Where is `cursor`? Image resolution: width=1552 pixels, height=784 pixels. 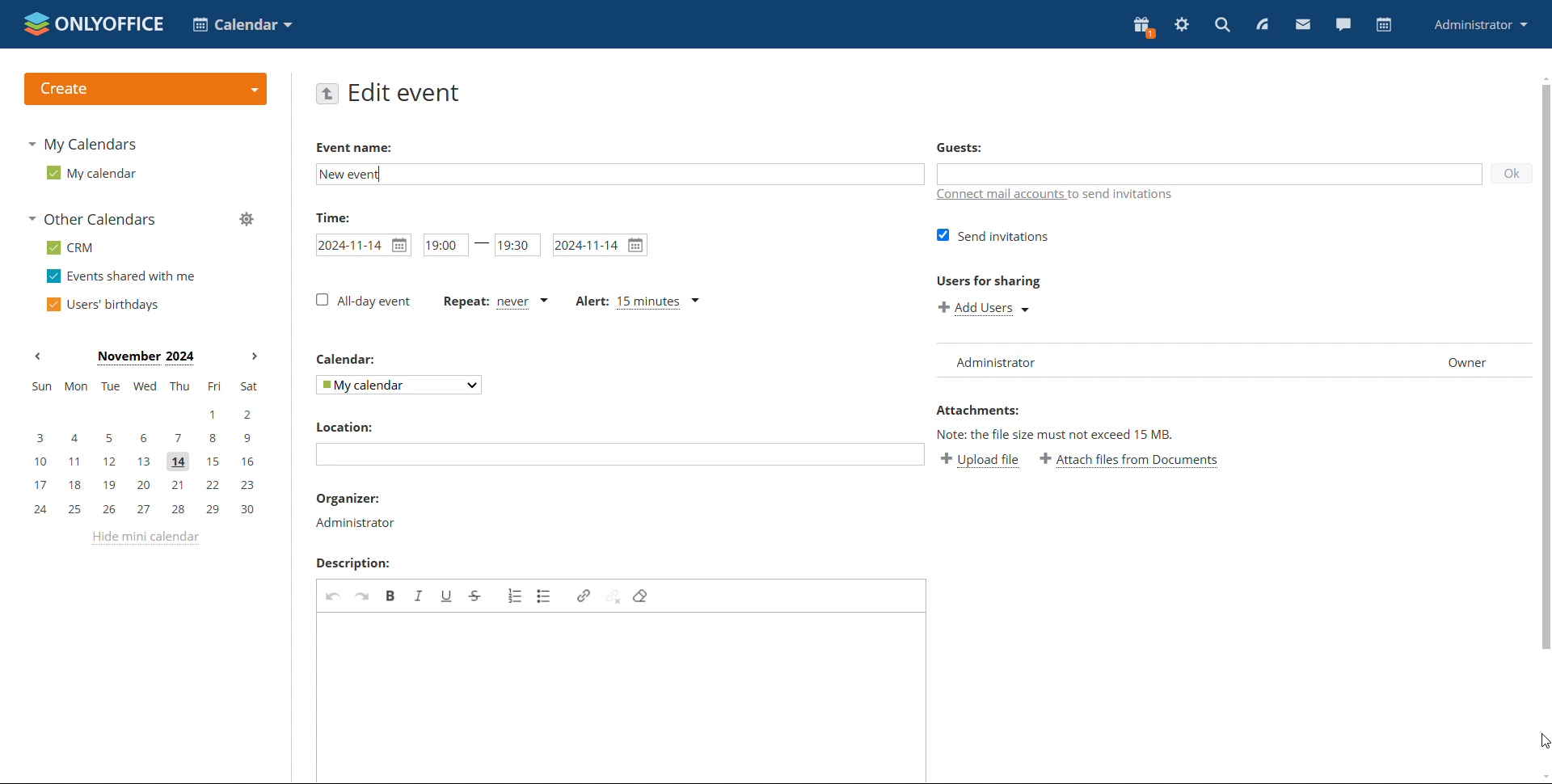
cursor is located at coordinates (1542, 741).